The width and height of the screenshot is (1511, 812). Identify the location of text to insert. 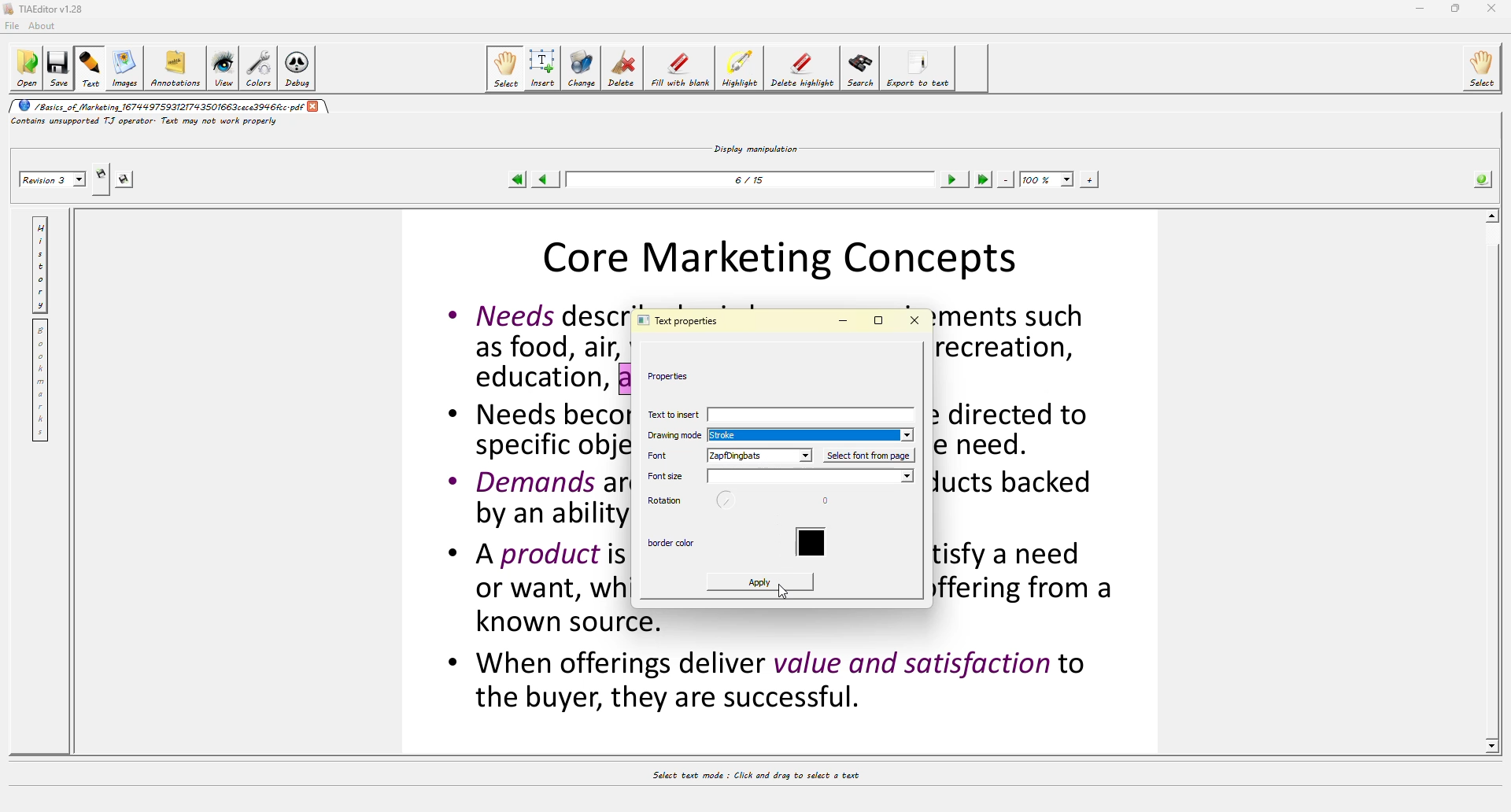
(785, 415).